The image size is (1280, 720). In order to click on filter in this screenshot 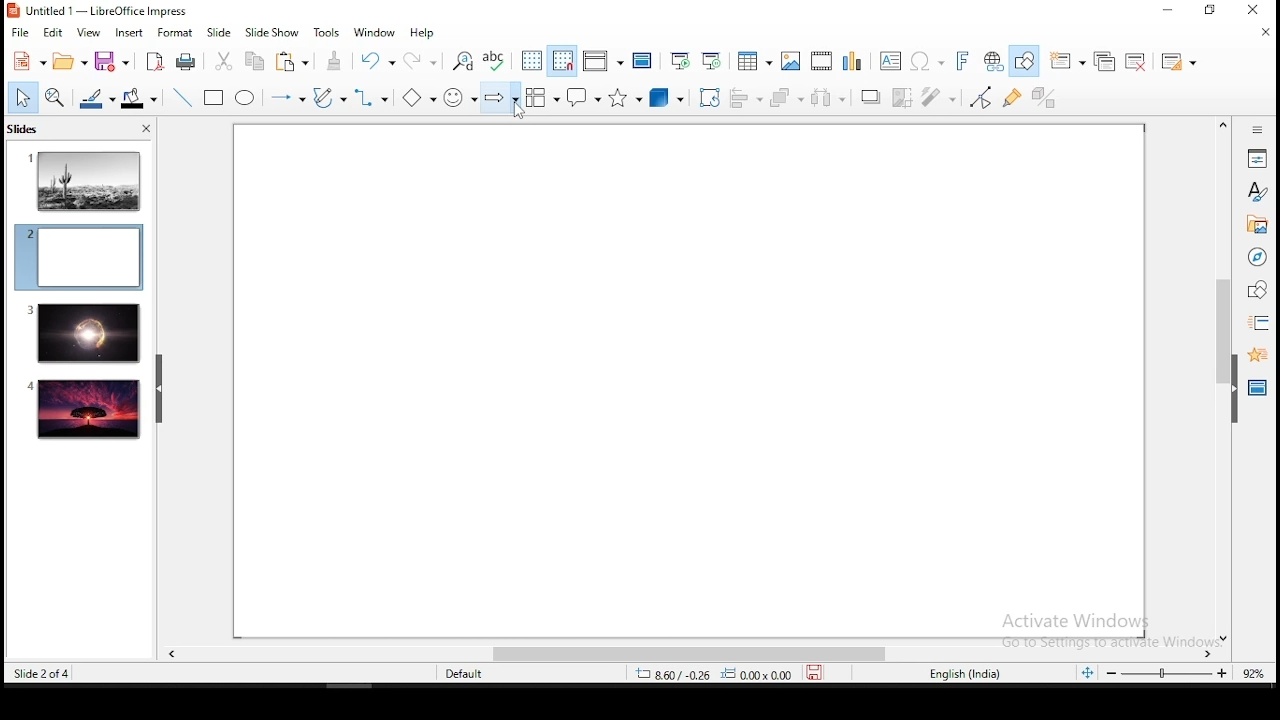, I will do `click(937, 97)`.